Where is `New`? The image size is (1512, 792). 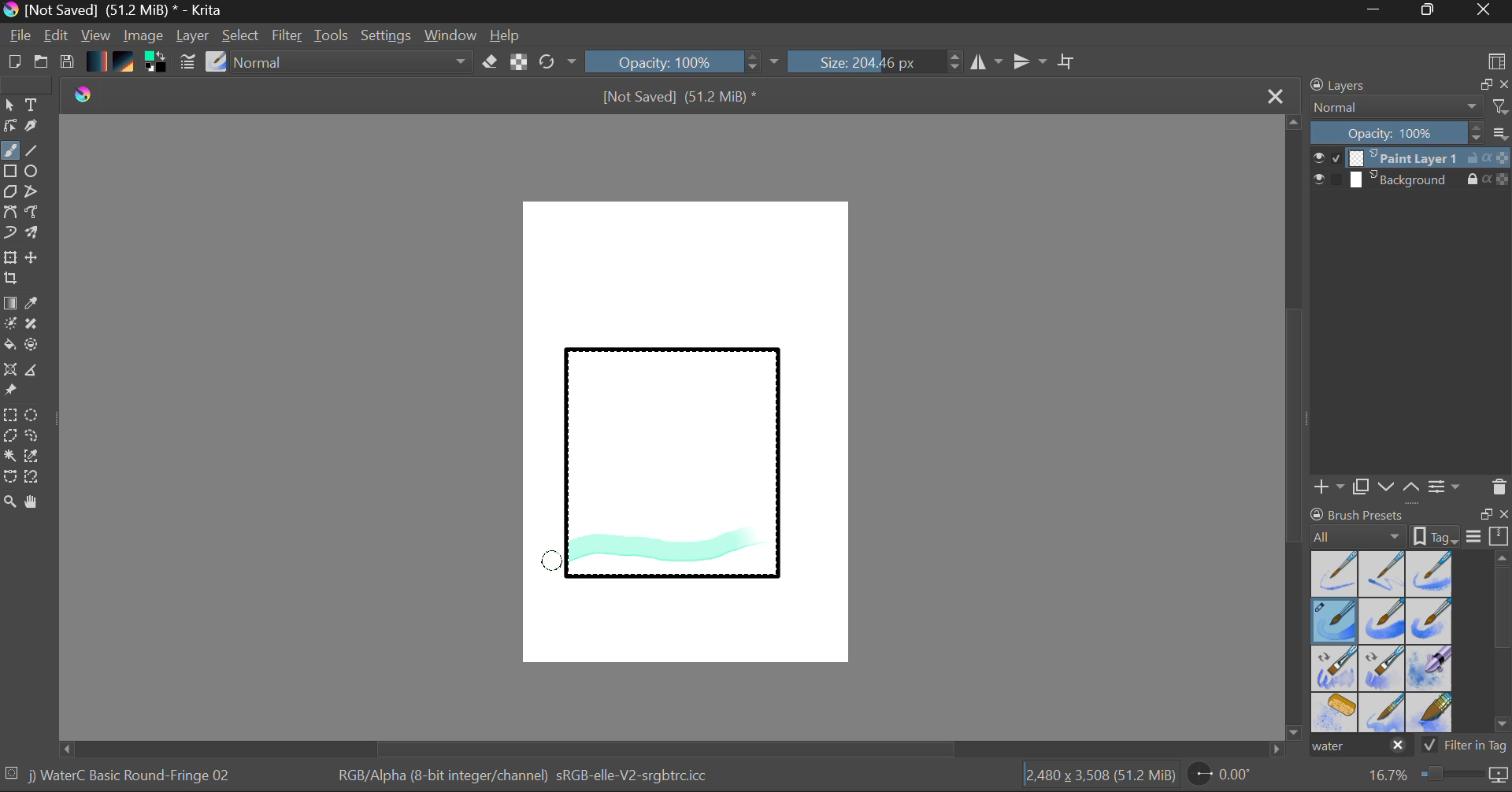 New is located at coordinates (13, 64).